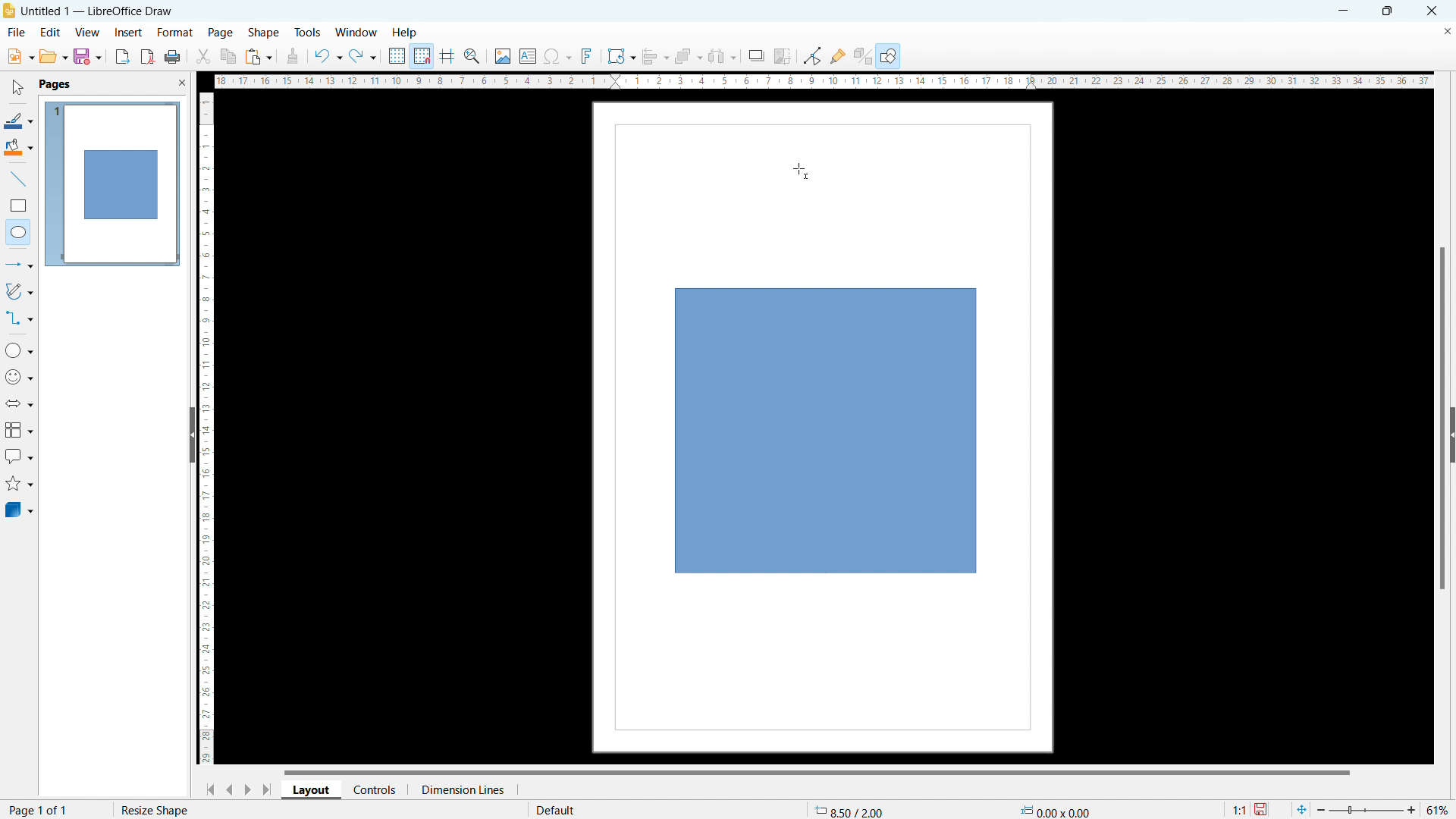 This screenshot has width=1456, height=819. Describe the element at coordinates (264, 33) in the screenshot. I see `shape` at that location.